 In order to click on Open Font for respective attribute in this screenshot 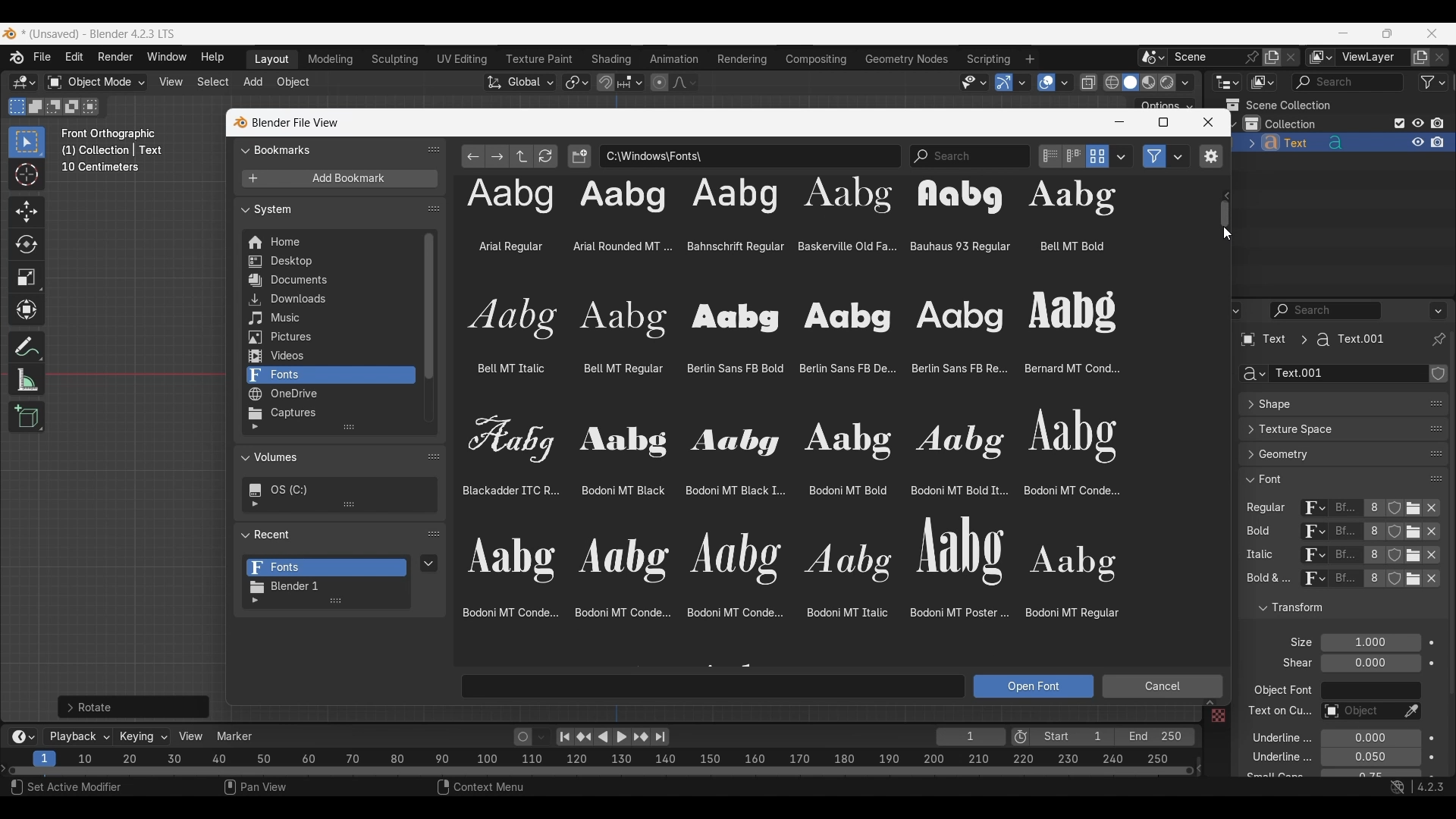, I will do `click(1414, 510)`.